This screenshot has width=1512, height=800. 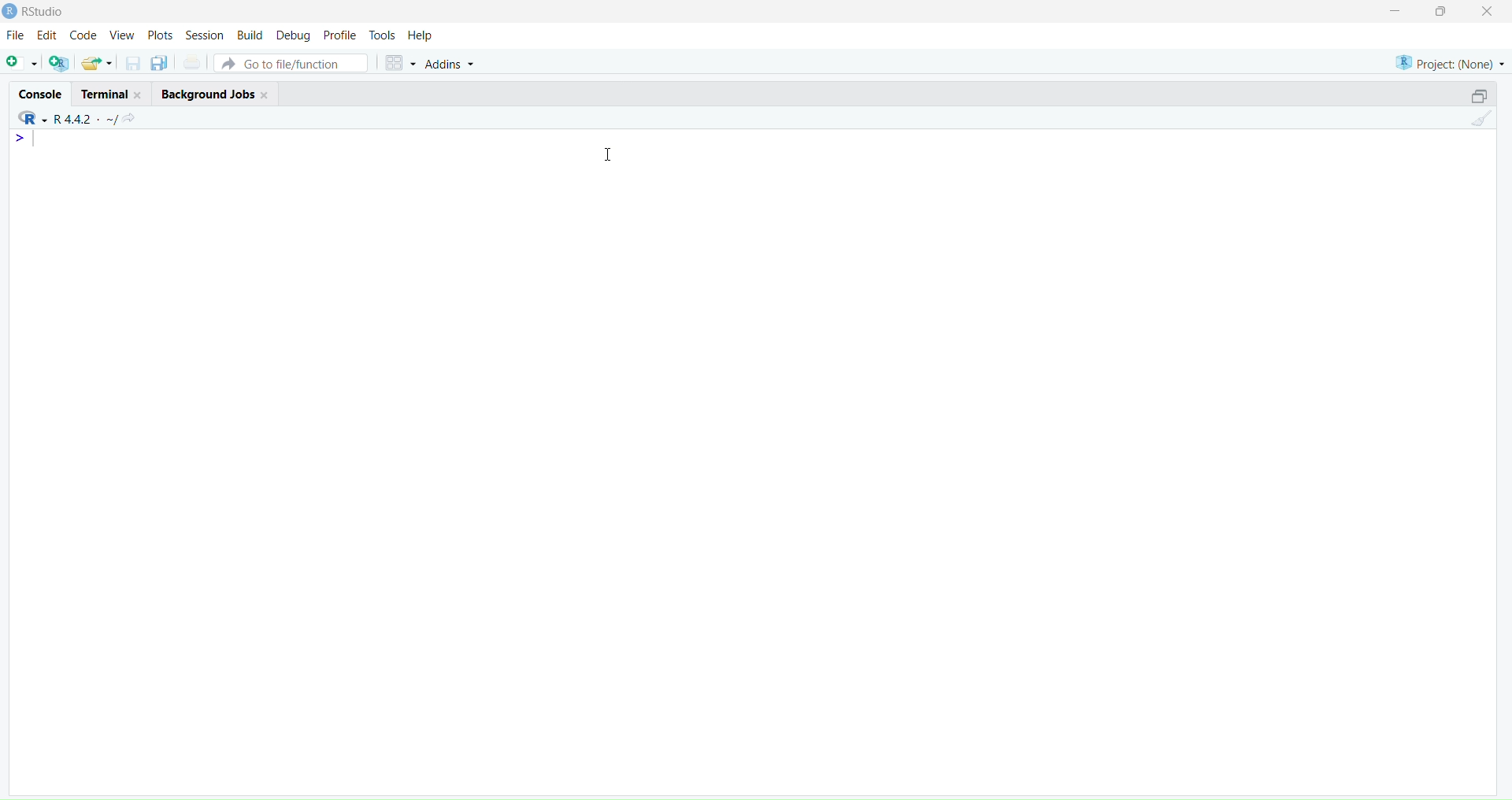 I want to click on Go to file/function, so click(x=290, y=62).